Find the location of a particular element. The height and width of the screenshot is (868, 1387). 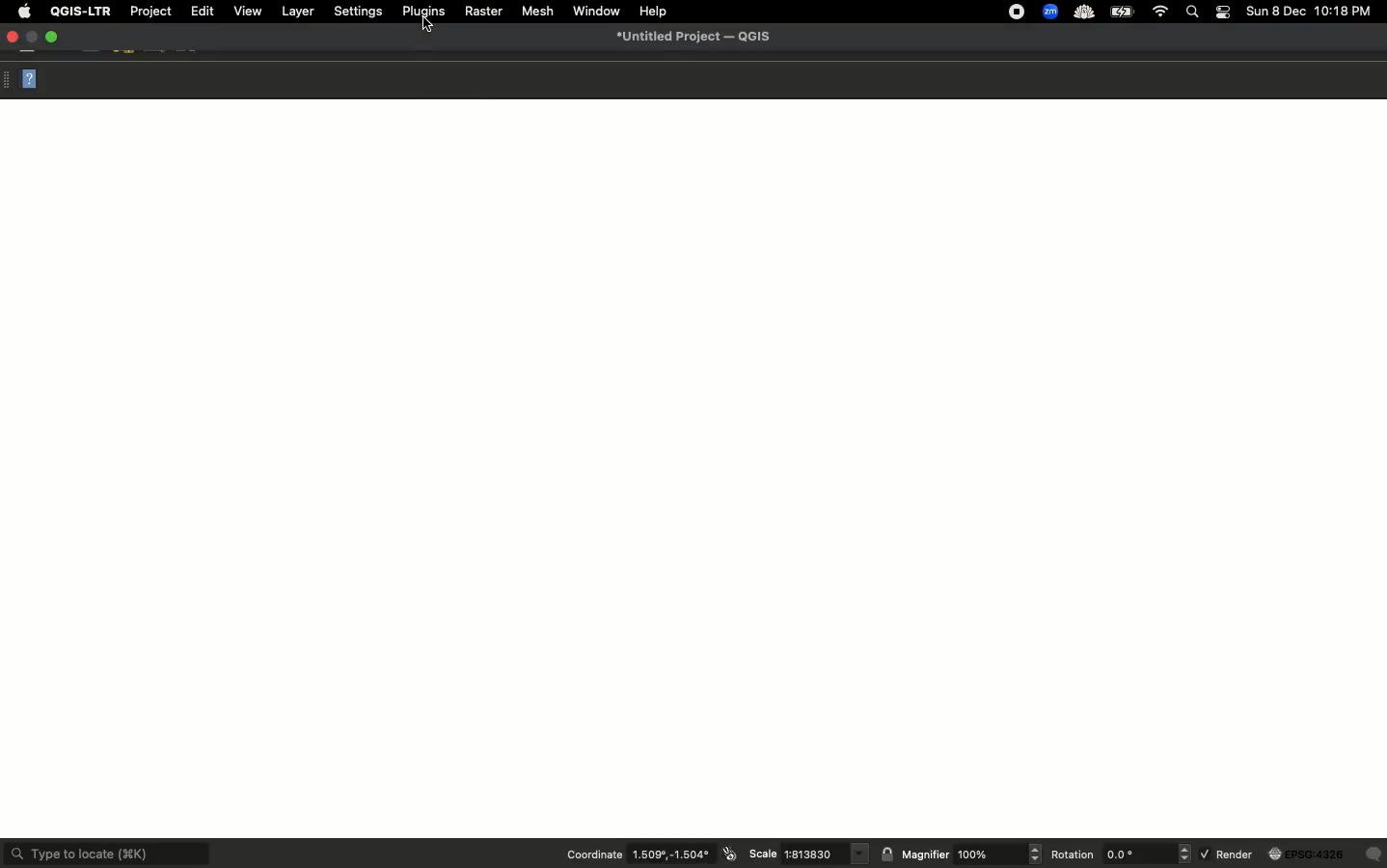

Maximize is located at coordinates (53, 37).